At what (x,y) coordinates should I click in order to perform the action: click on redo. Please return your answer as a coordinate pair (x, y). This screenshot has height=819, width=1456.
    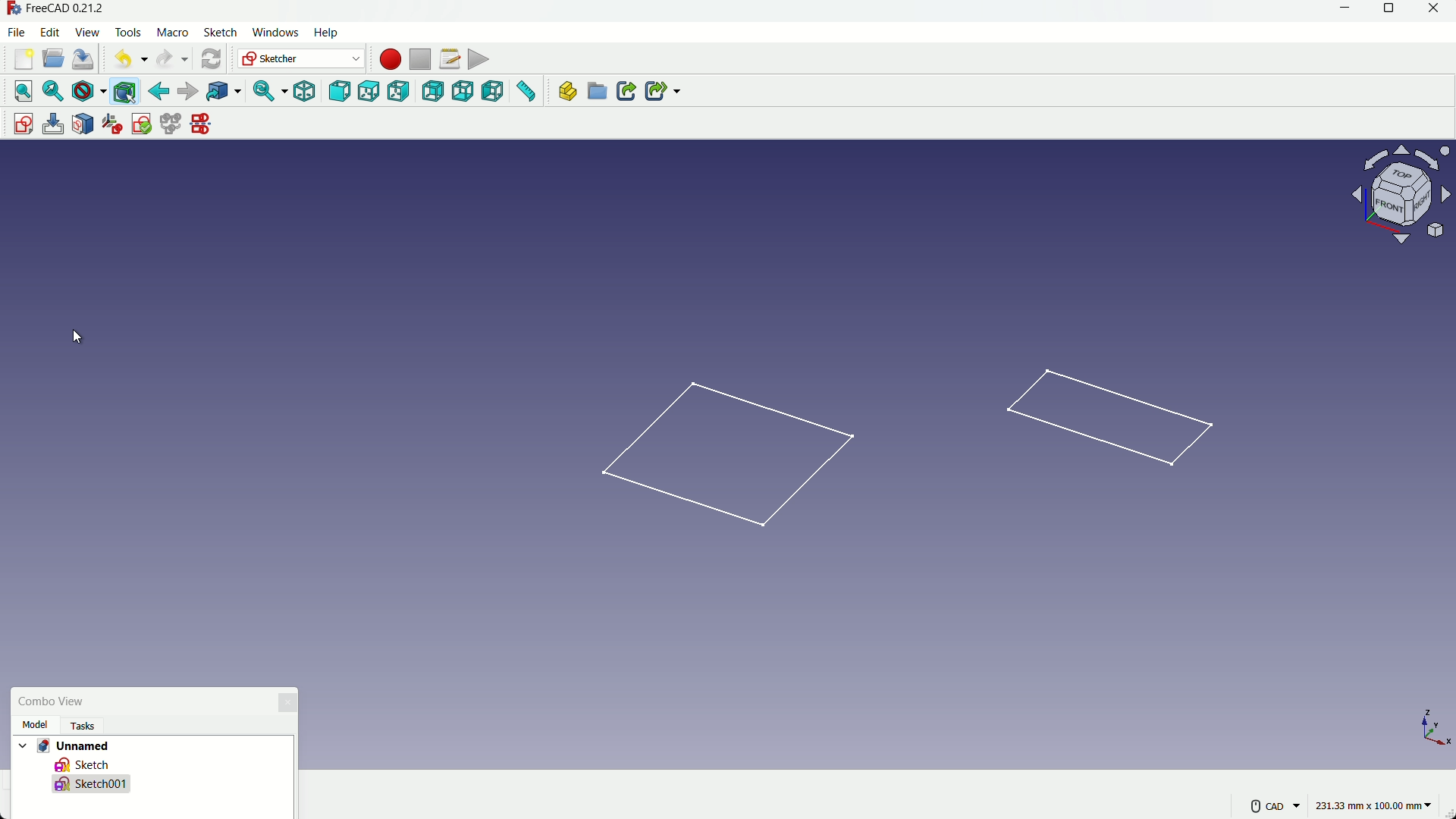
    Looking at the image, I should click on (172, 59).